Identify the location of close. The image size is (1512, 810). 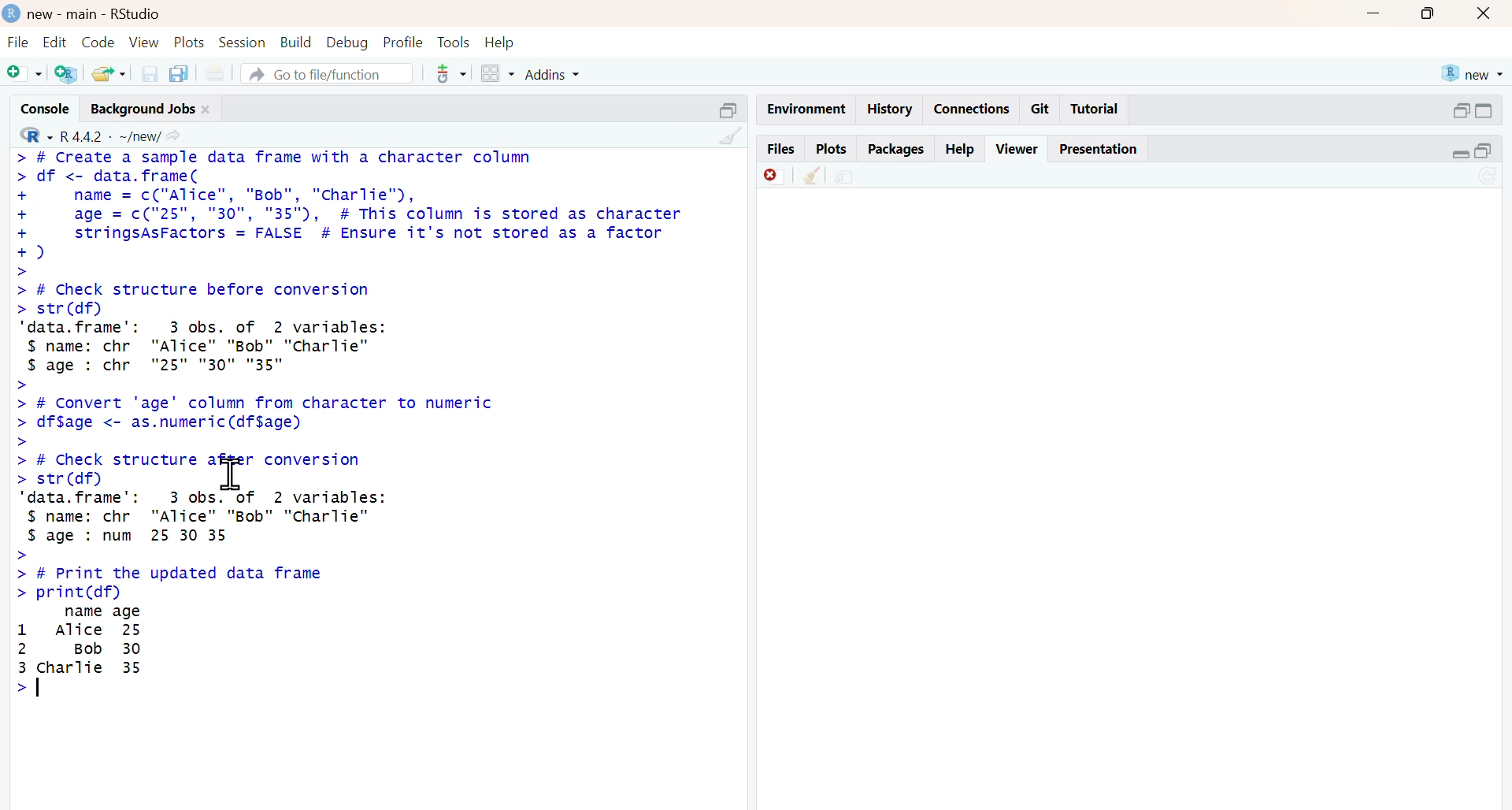
(1484, 13).